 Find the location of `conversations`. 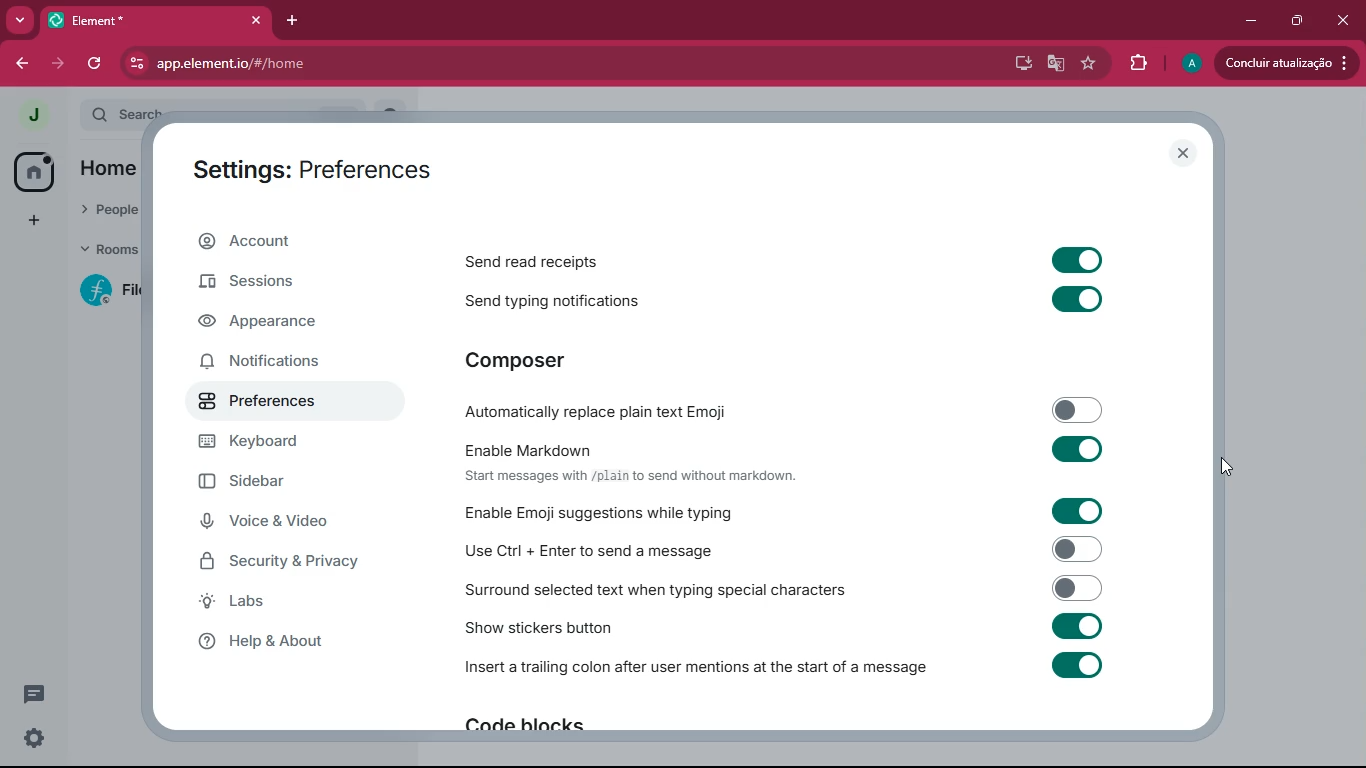

conversations is located at coordinates (31, 694).